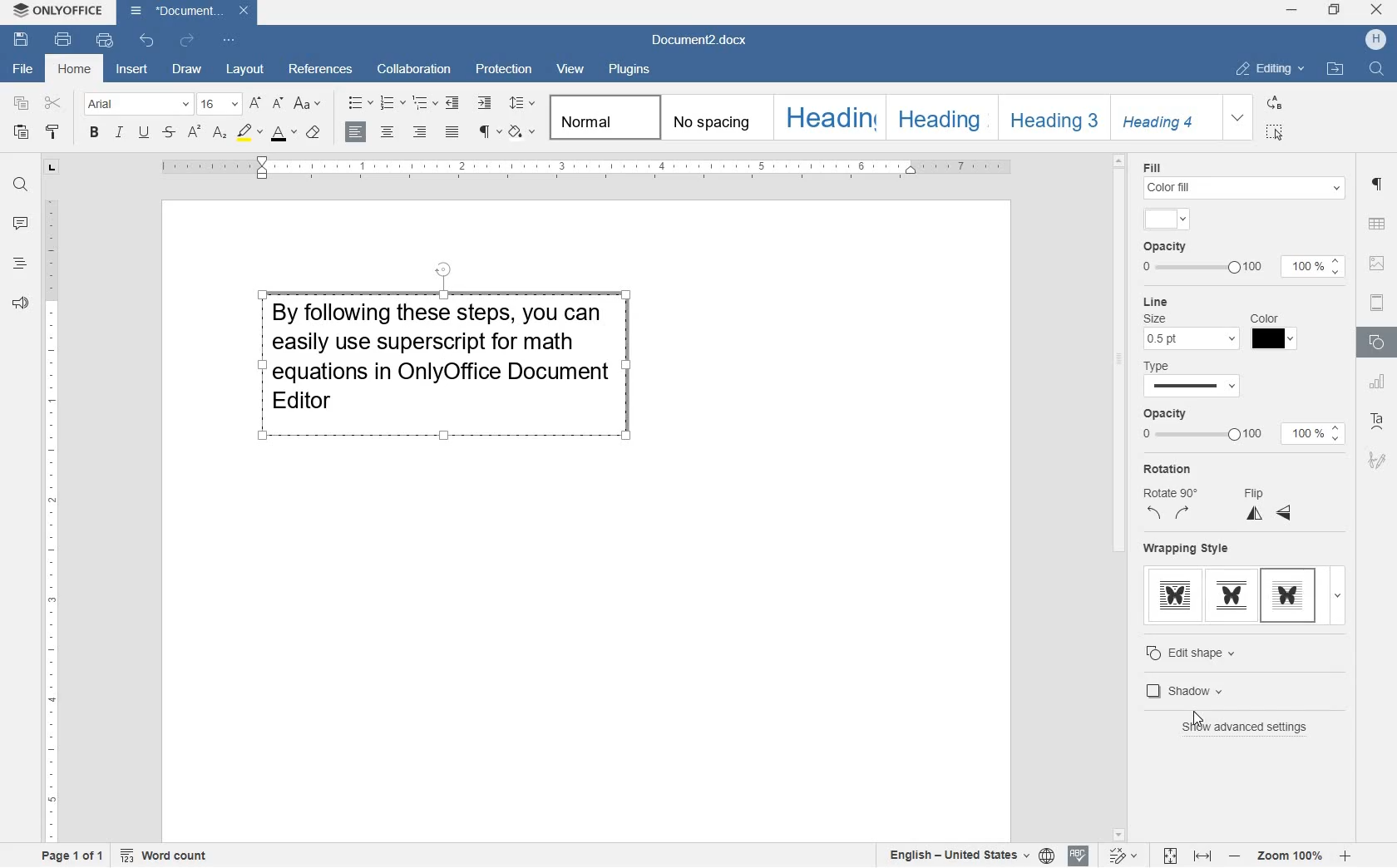  What do you see at coordinates (20, 224) in the screenshot?
I see `comments` at bounding box center [20, 224].